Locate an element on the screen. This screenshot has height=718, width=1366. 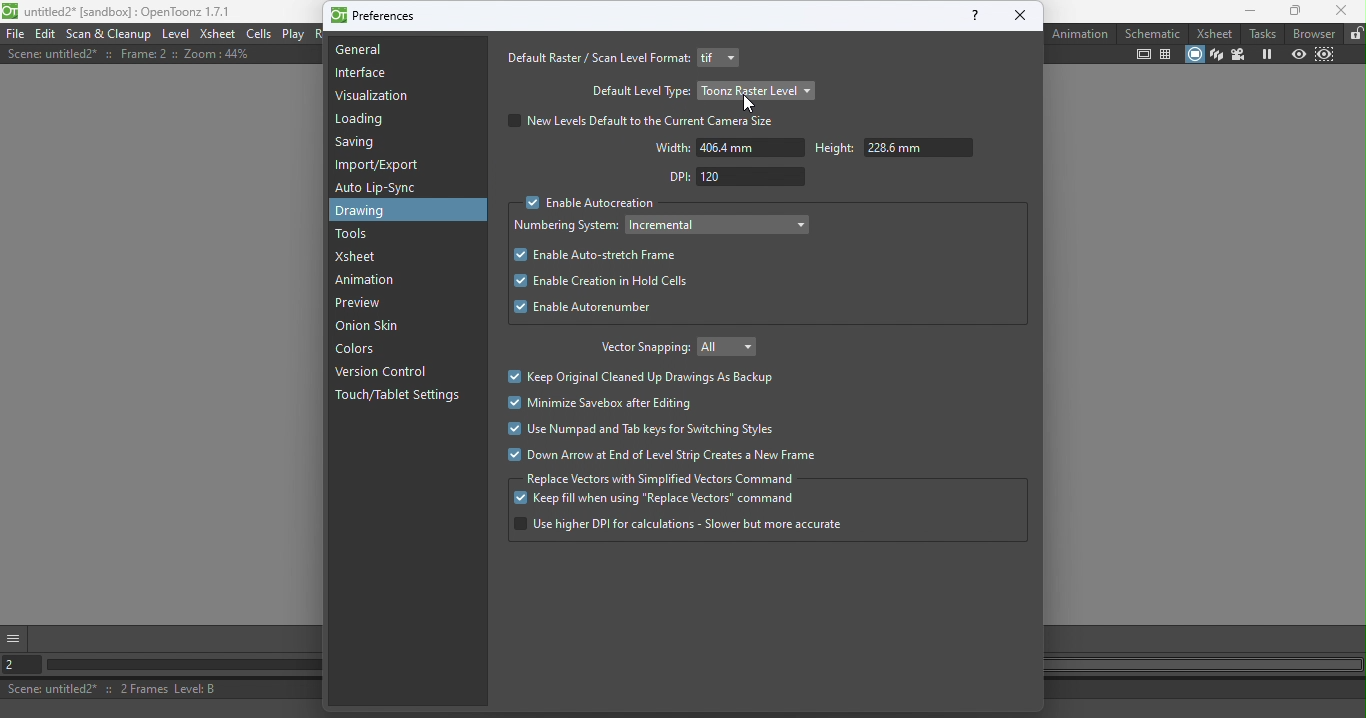
Close is located at coordinates (1341, 11).